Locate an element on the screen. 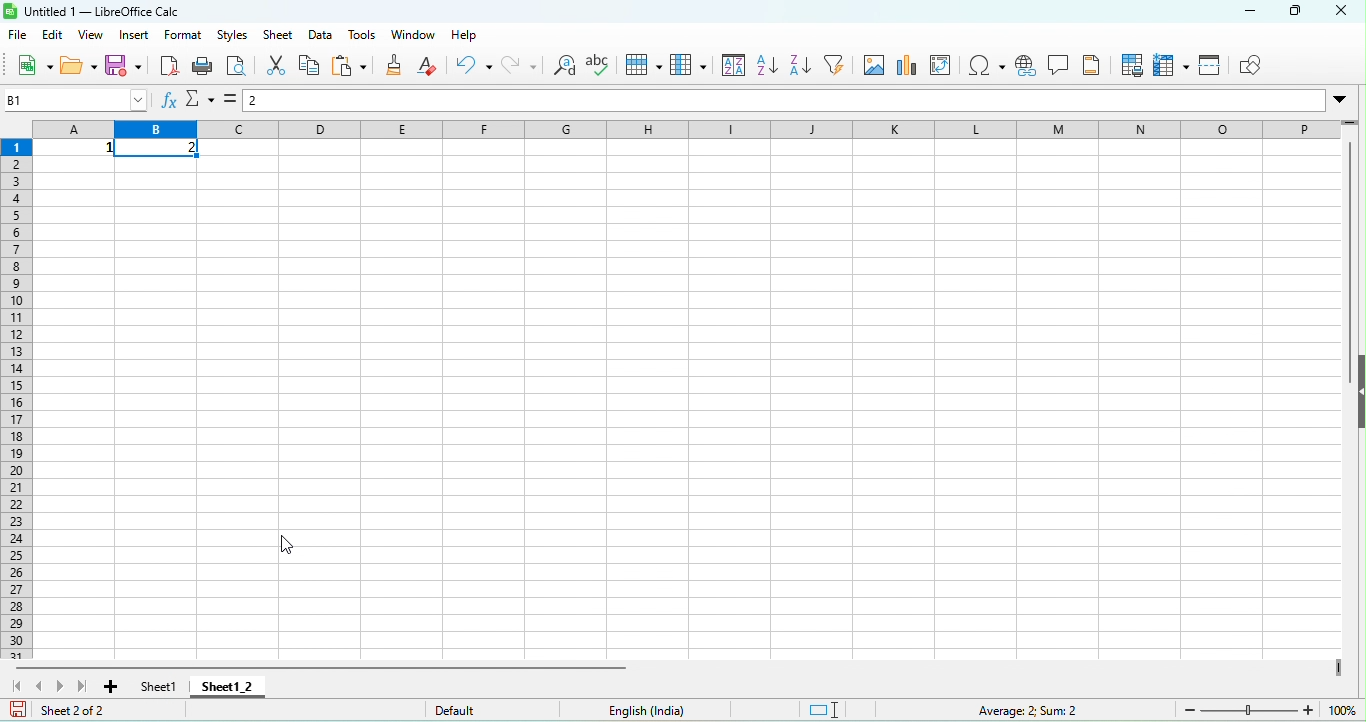 The height and width of the screenshot is (722, 1366). close is located at coordinates (1344, 17).